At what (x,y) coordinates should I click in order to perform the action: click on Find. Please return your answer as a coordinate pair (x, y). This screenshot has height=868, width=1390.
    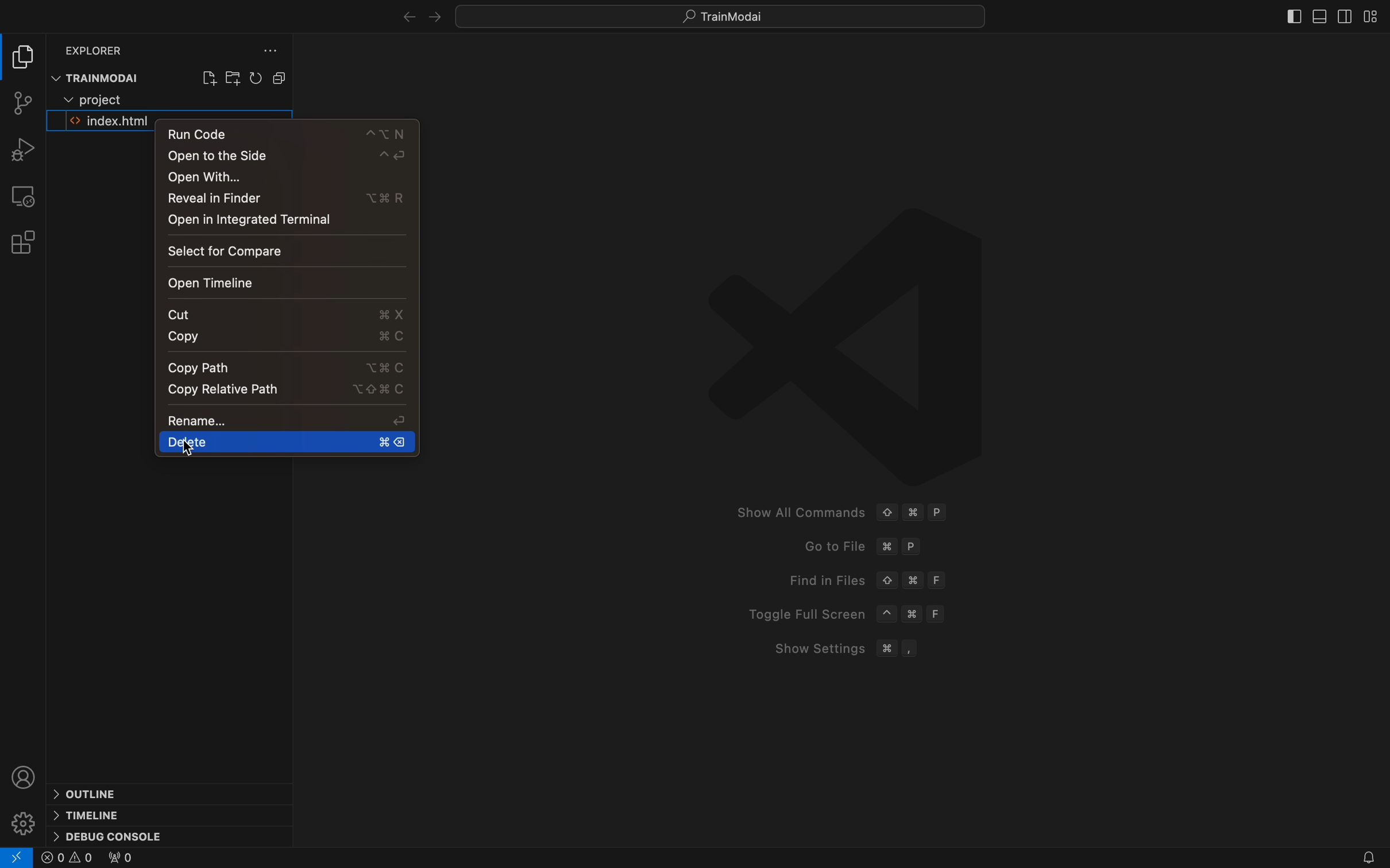
    Looking at the image, I should click on (870, 580).